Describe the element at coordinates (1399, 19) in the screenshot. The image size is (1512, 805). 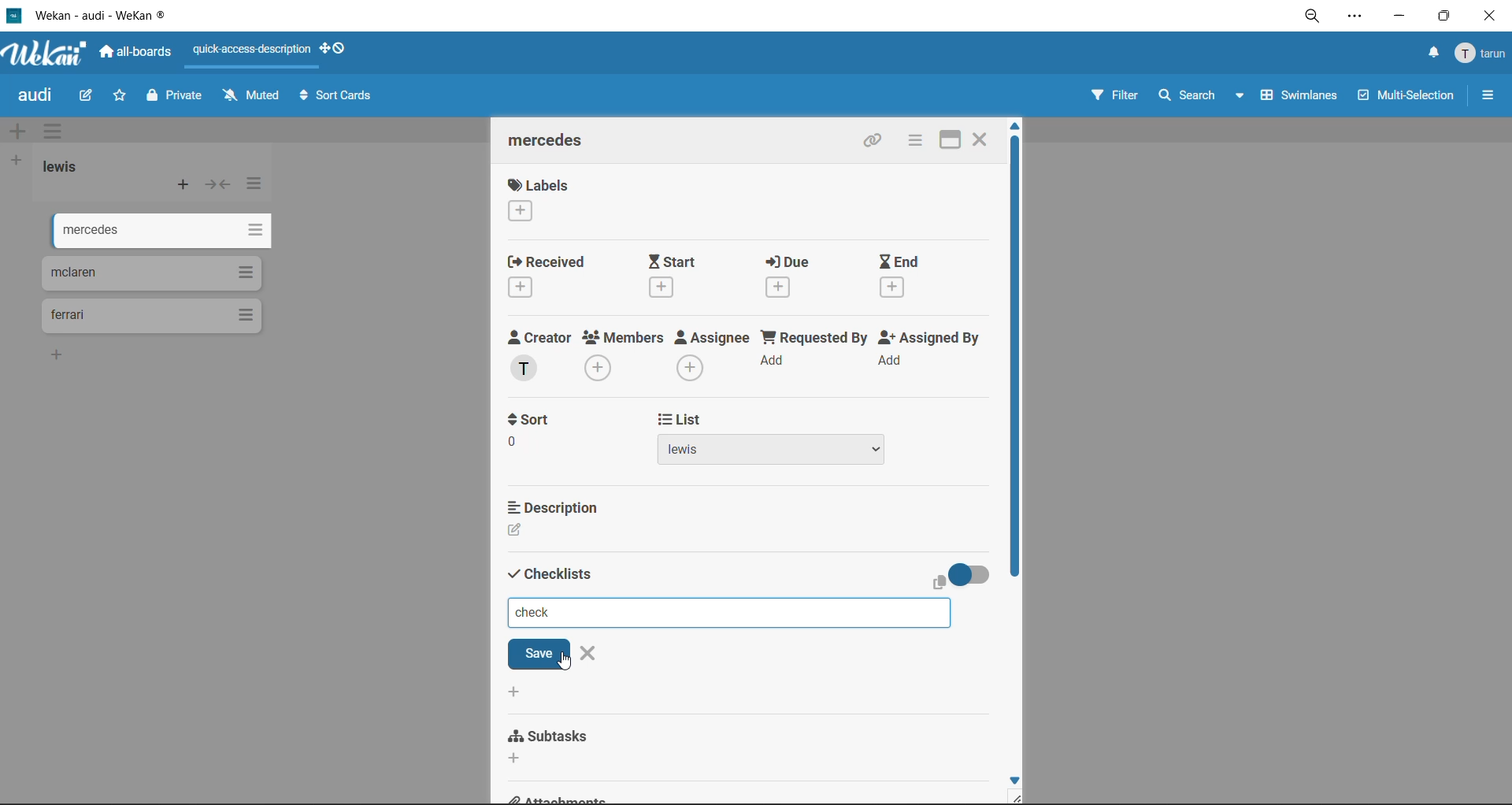
I see `minimize` at that location.